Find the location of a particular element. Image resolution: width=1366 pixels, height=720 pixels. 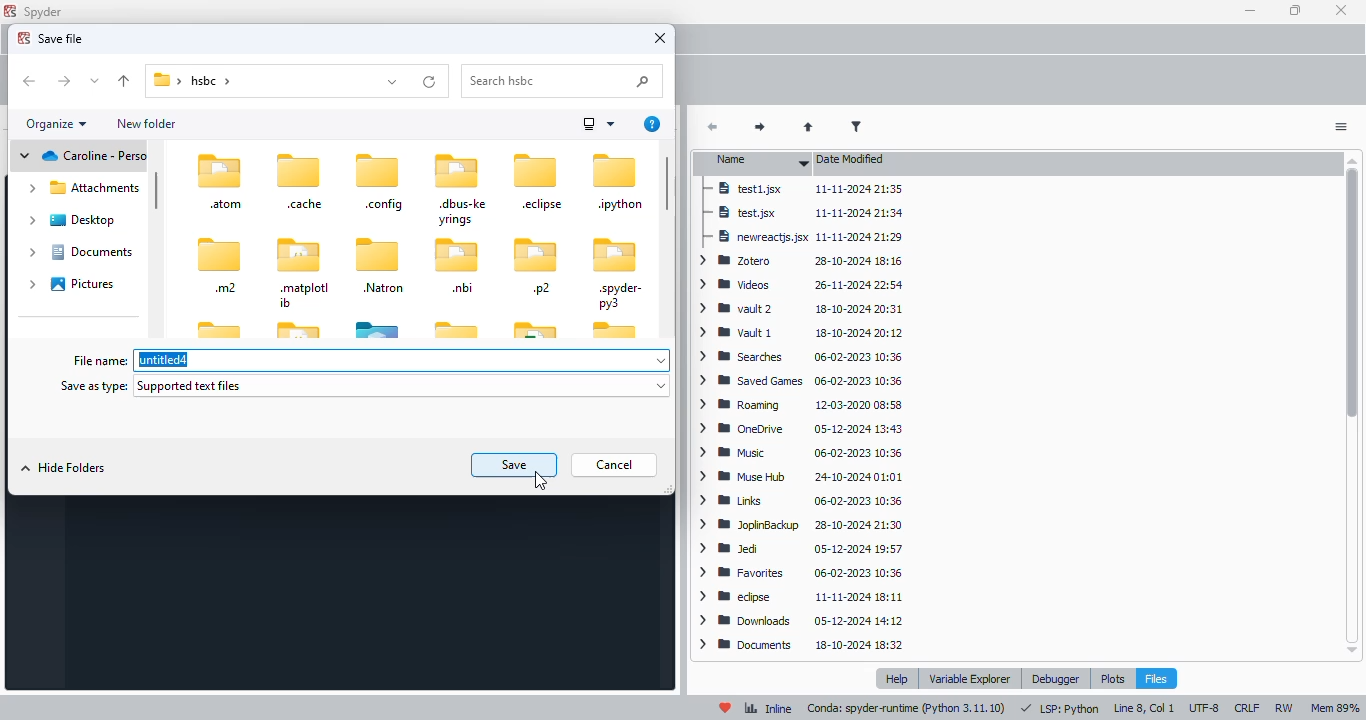

filter filenames is located at coordinates (857, 127).